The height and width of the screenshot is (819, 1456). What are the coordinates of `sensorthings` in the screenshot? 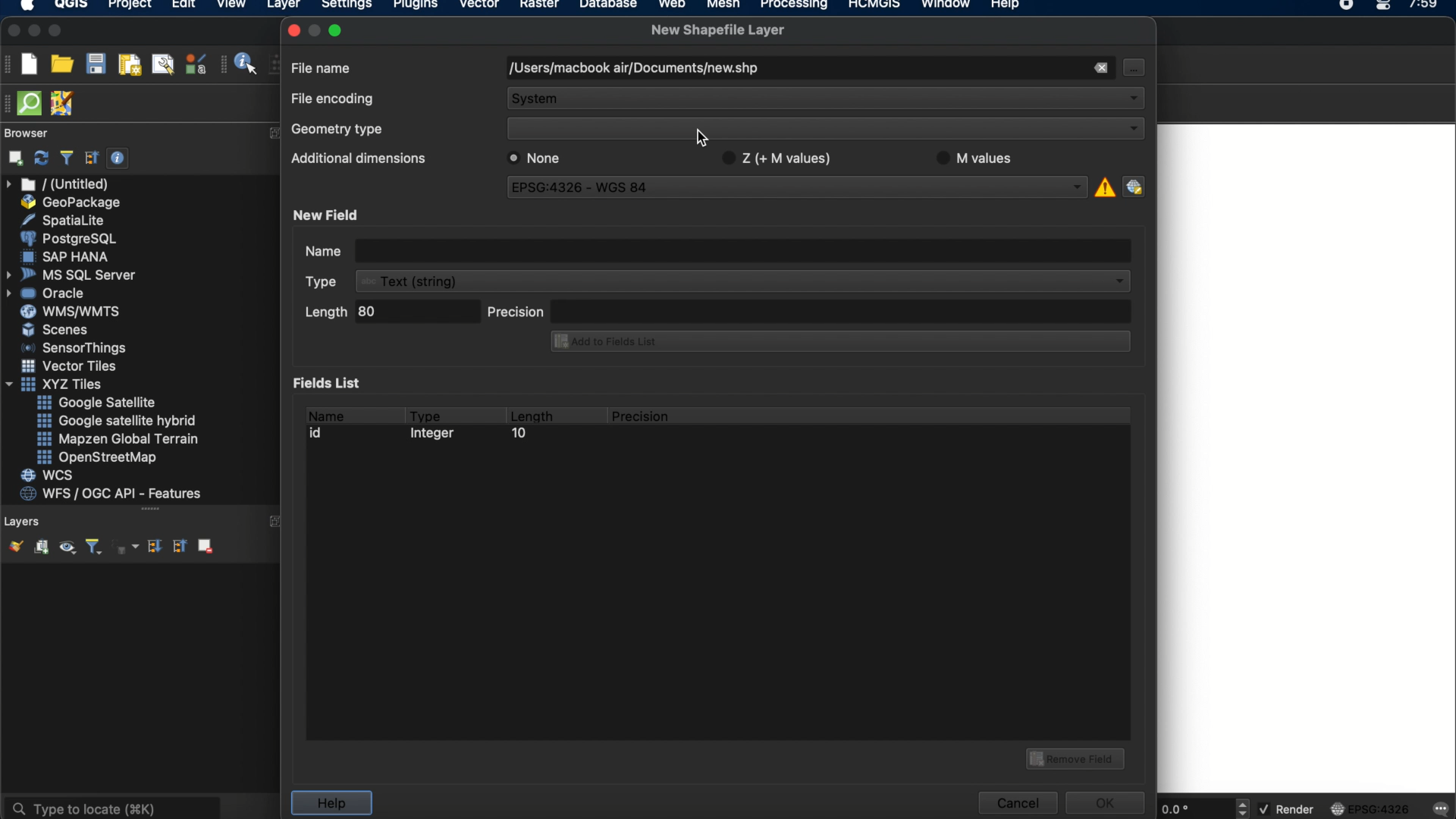 It's located at (74, 348).